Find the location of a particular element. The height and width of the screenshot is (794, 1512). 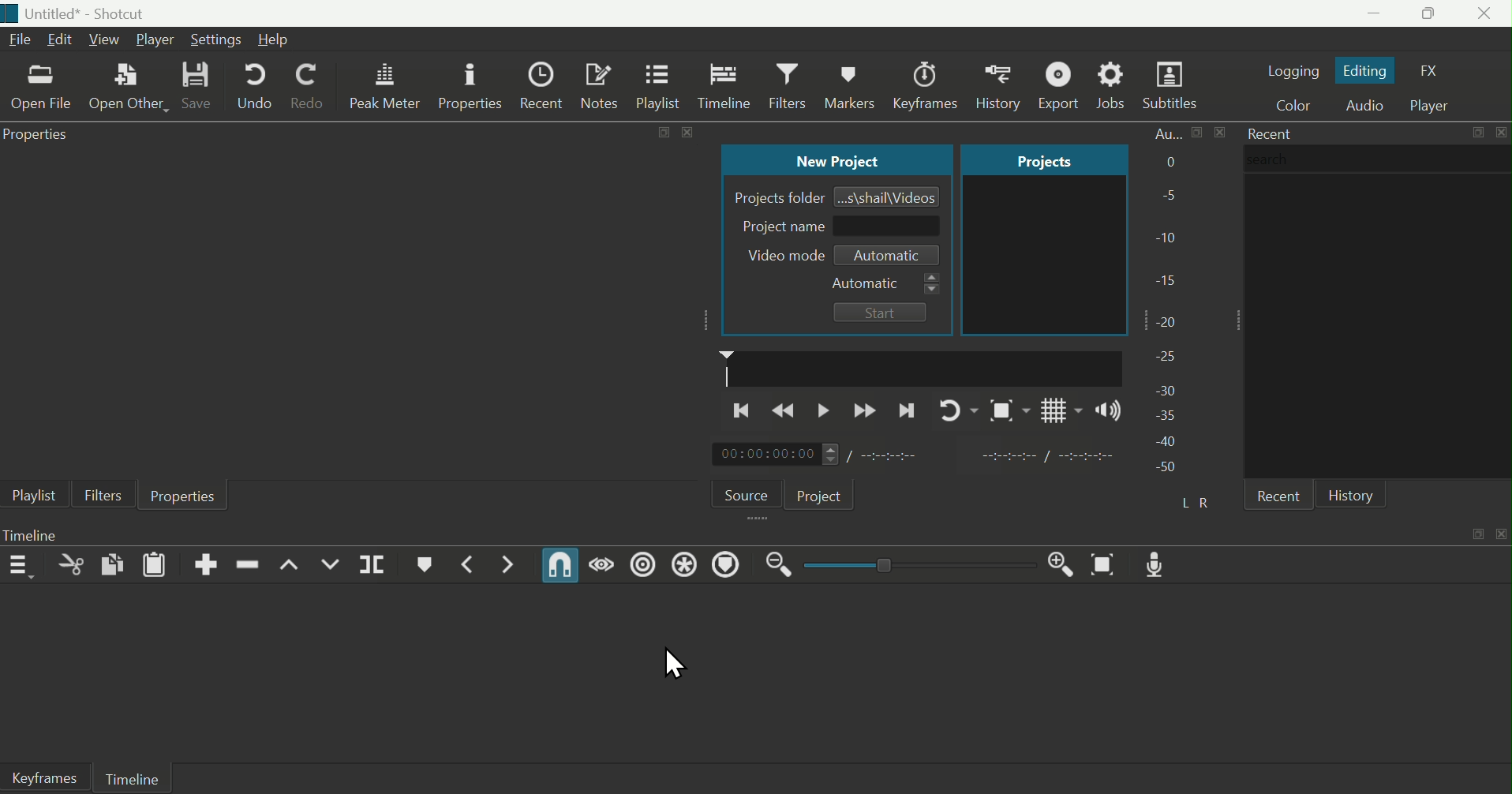

Overwrite is located at coordinates (331, 565).